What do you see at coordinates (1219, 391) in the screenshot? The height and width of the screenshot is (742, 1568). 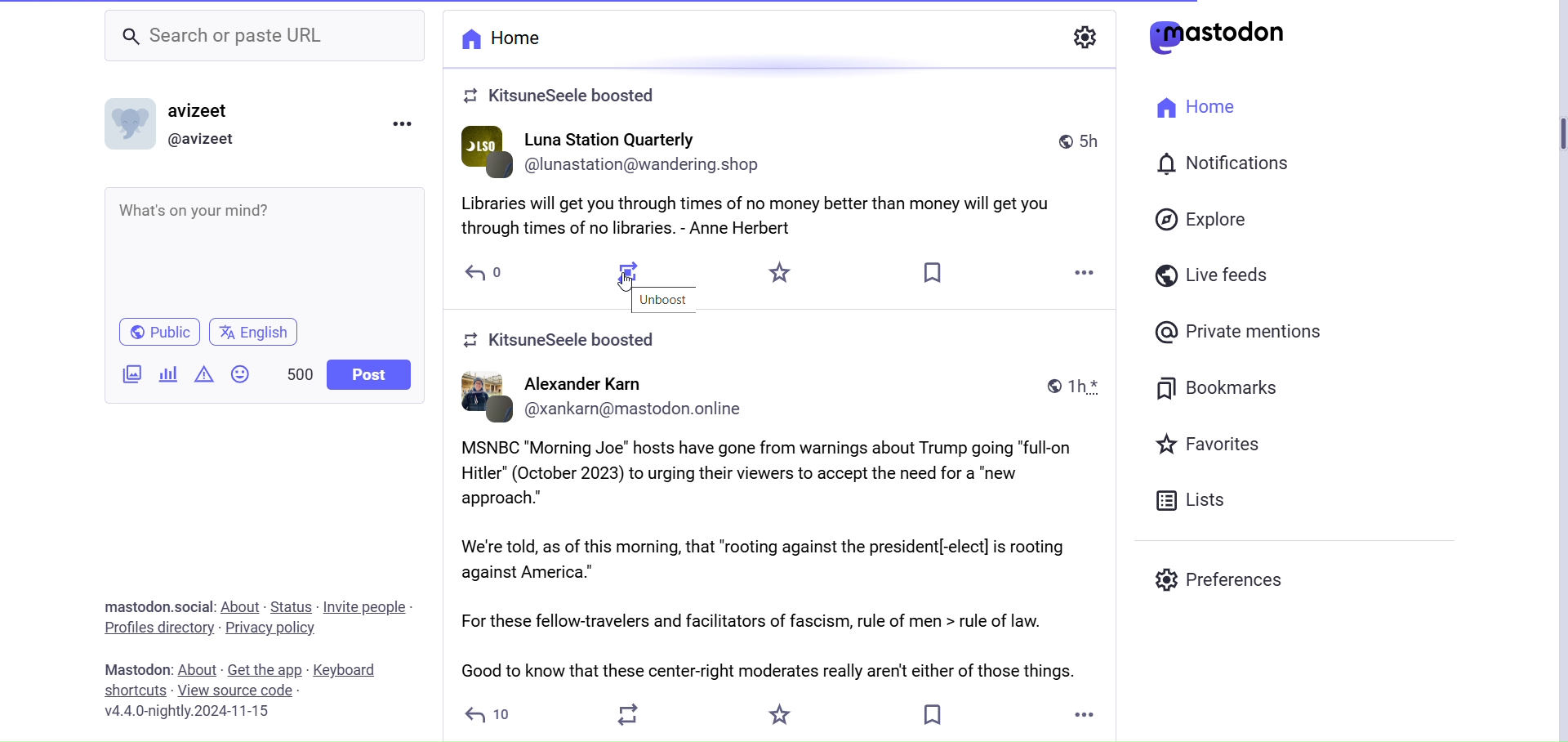 I see `Bookmasrks` at bounding box center [1219, 391].